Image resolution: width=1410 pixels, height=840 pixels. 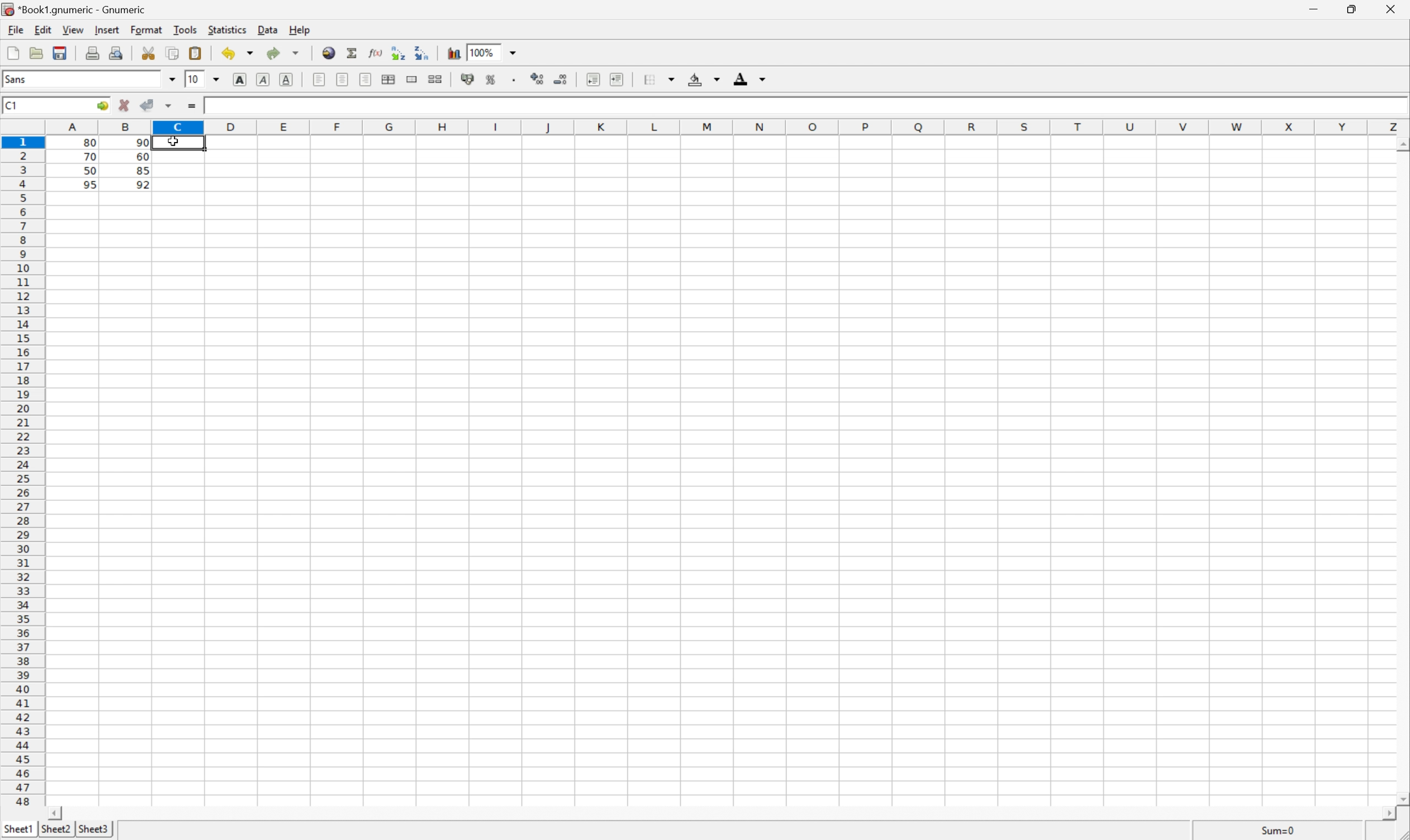 I want to click on Background, so click(x=704, y=79).